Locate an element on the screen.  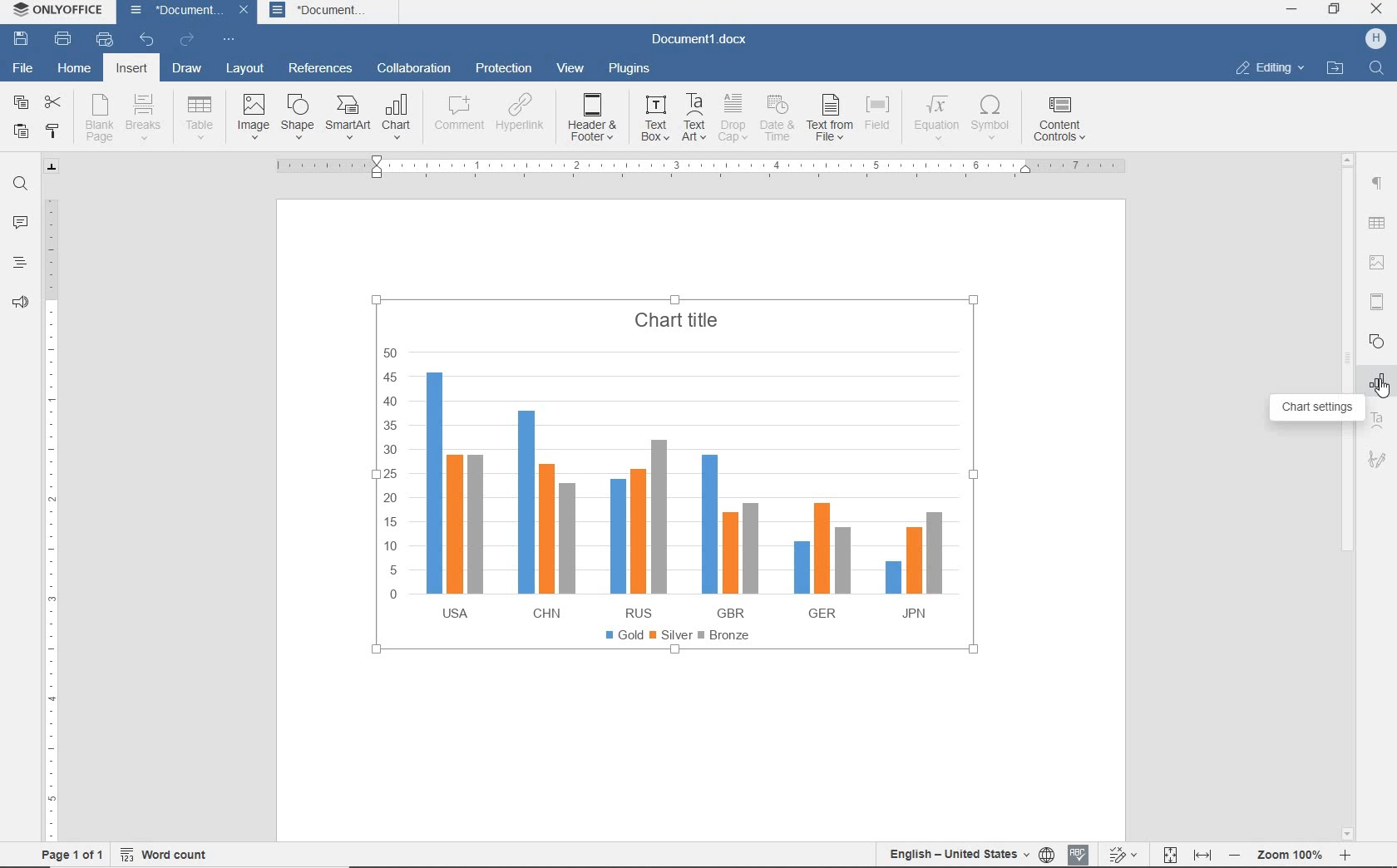
zoom in is located at coordinates (1346, 852).